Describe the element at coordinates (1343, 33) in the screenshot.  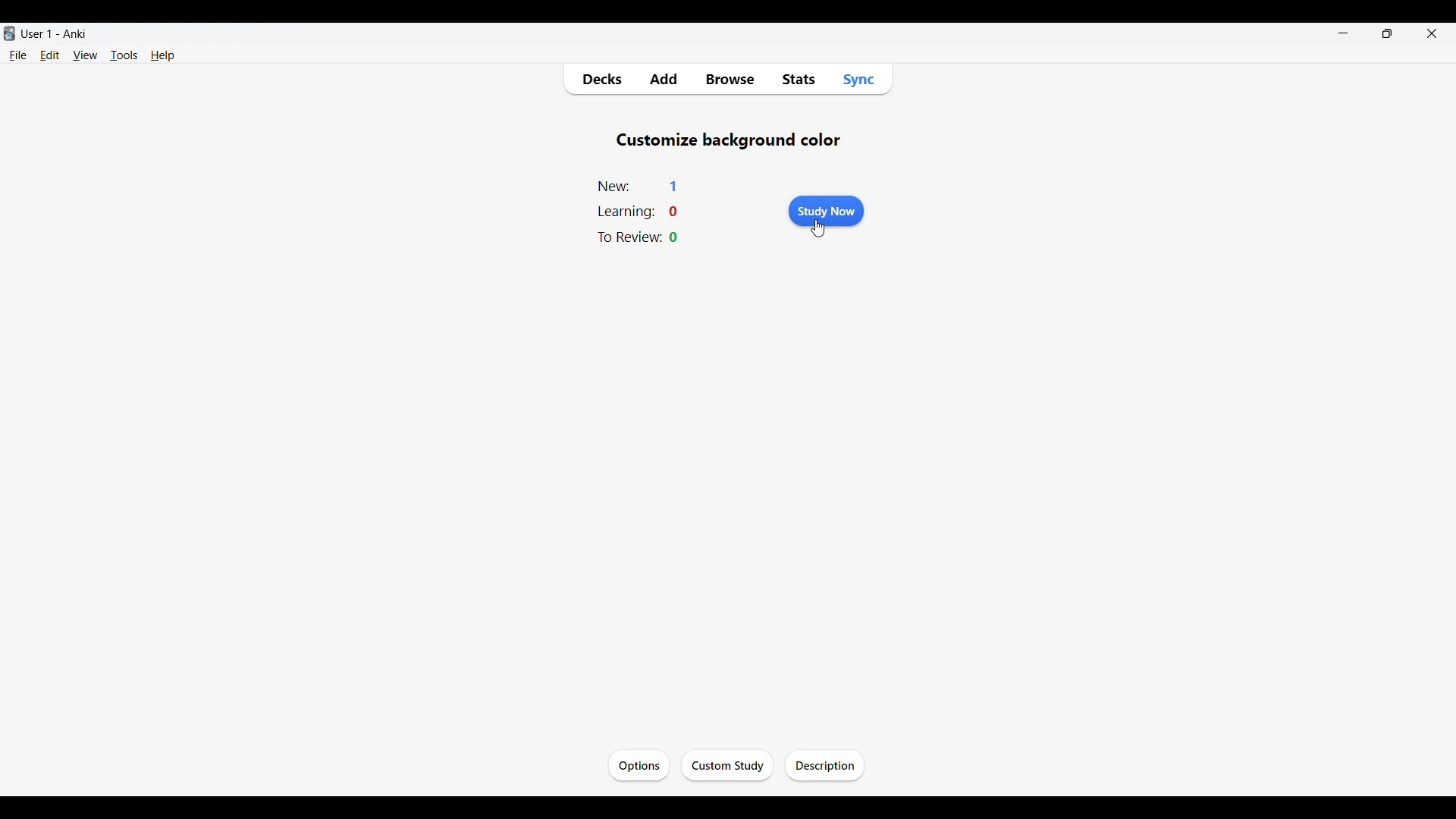
I see `Minimize` at that location.